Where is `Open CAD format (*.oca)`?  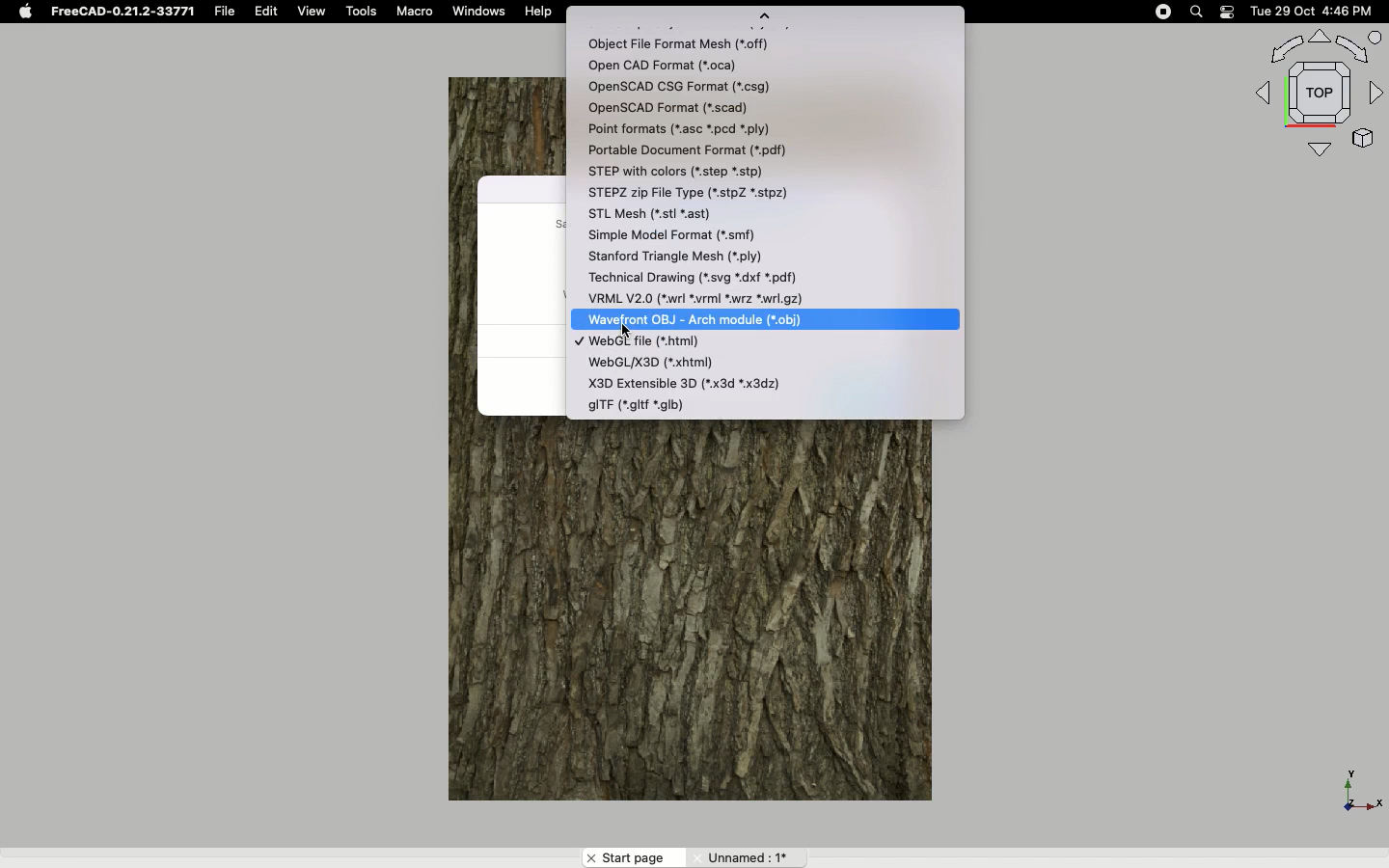
Open CAD format (*.oca) is located at coordinates (666, 66).